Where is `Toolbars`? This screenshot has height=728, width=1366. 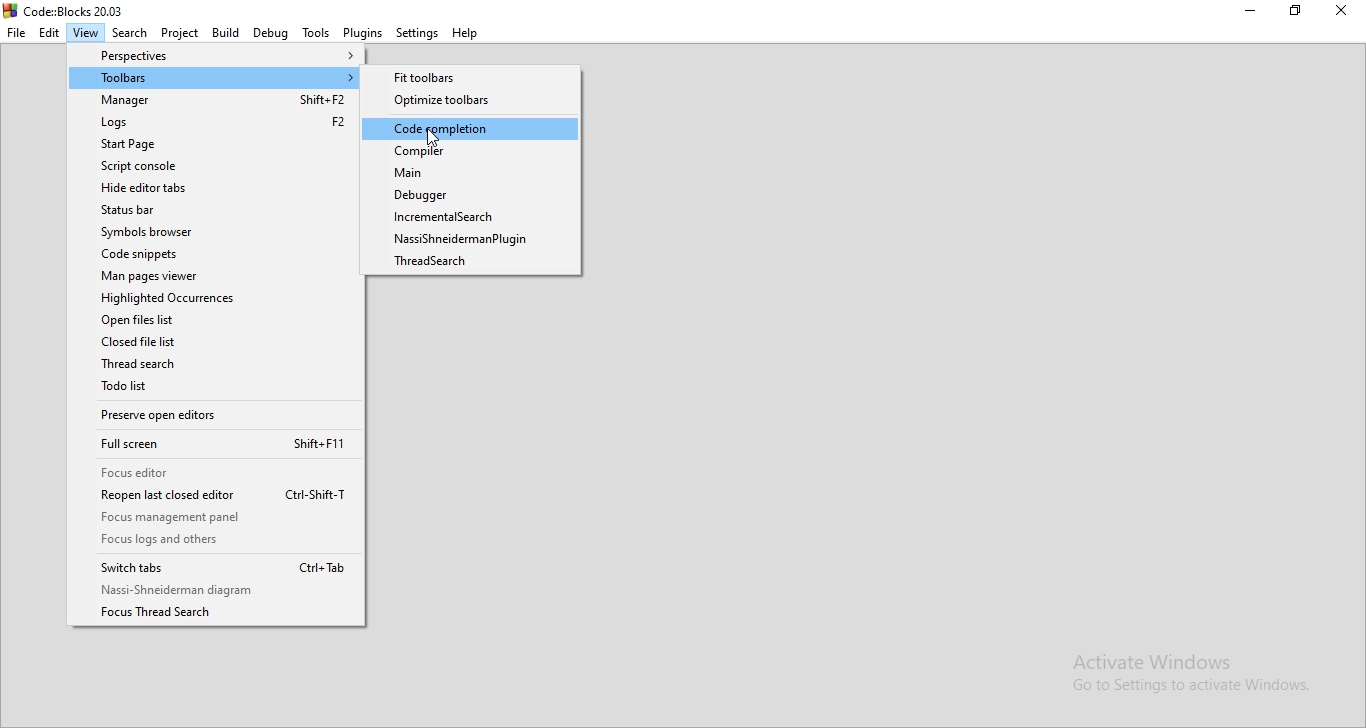 Toolbars is located at coordinates (216, 78).